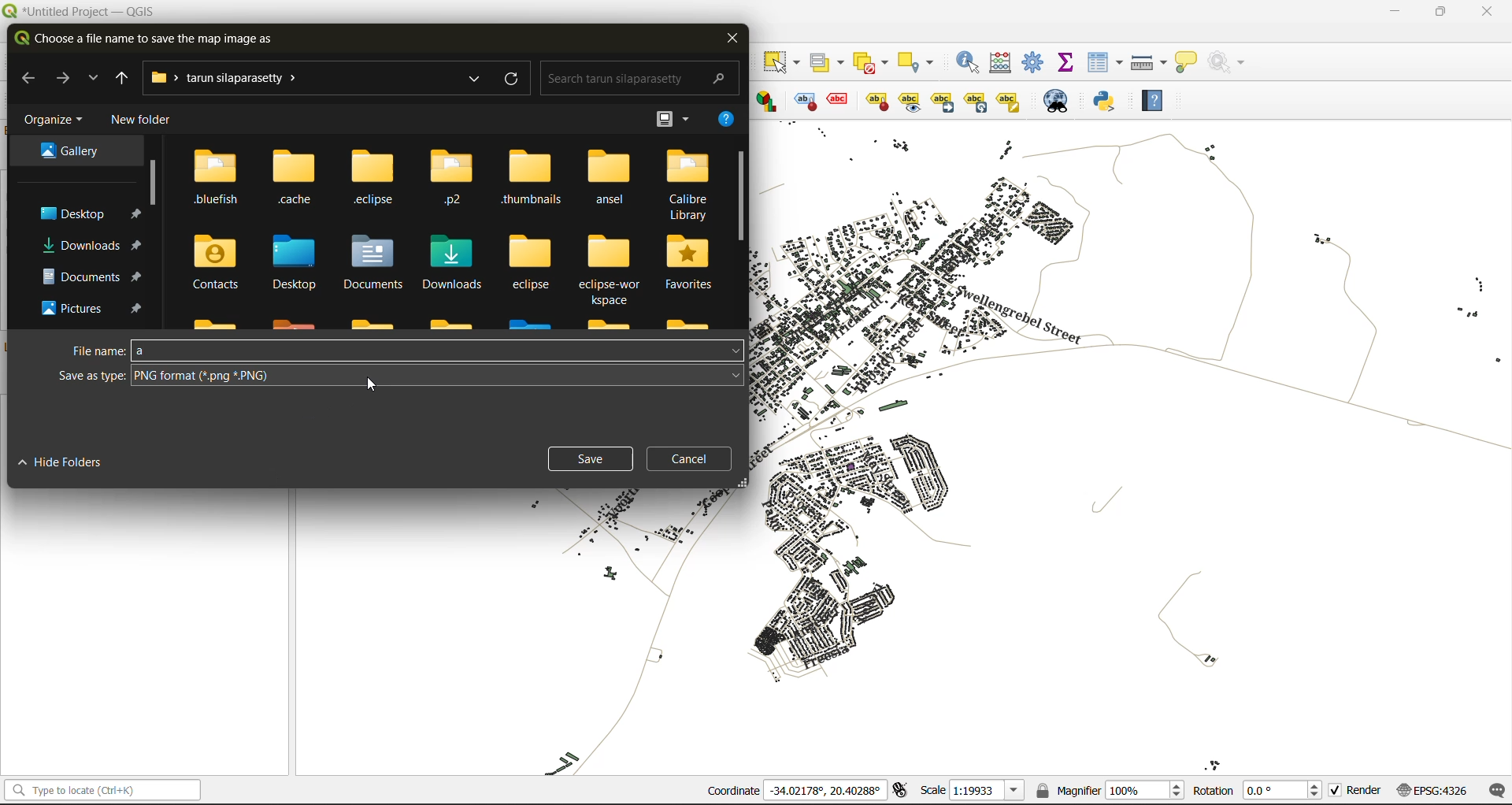 Image resolution: width=1512 pixels, height=805 pixels. Describe the element at coordinates (1106, 63) in the screenshot. I see `attributes table` at that location.